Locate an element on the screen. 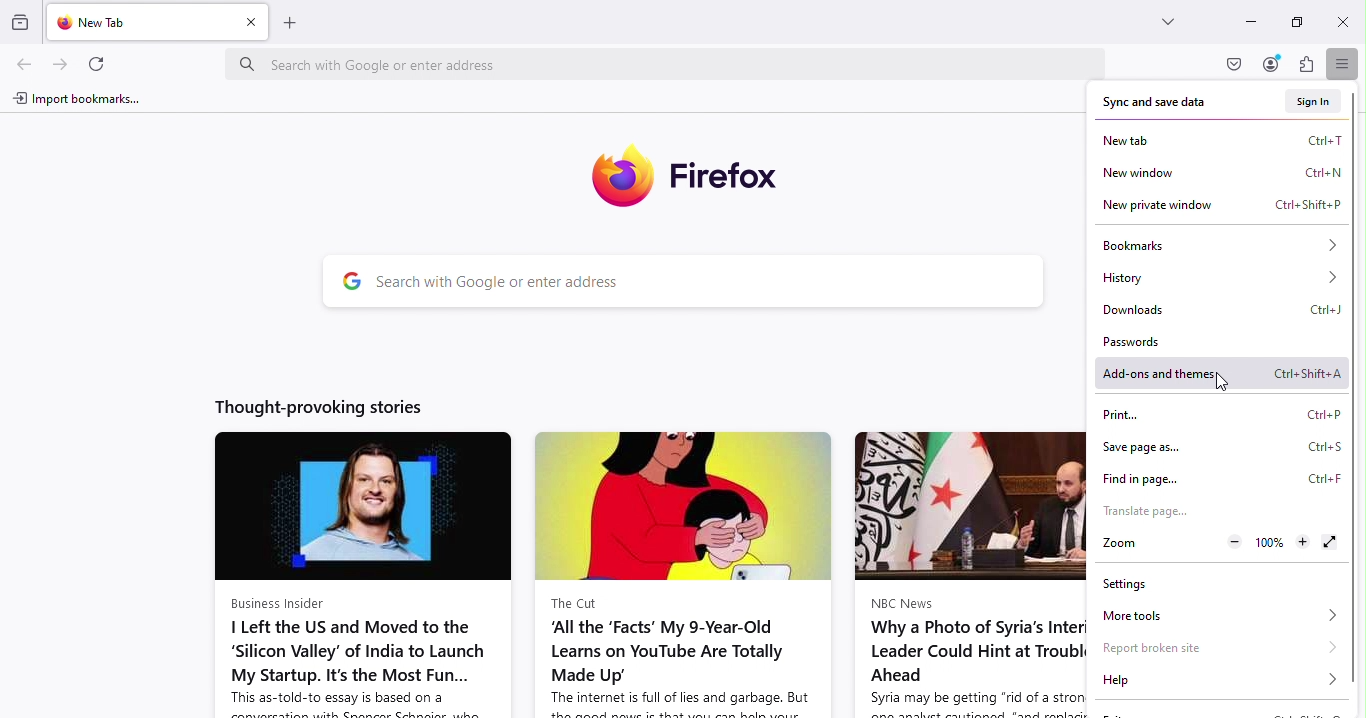  Translate page is located at coordinates (1150, 515).